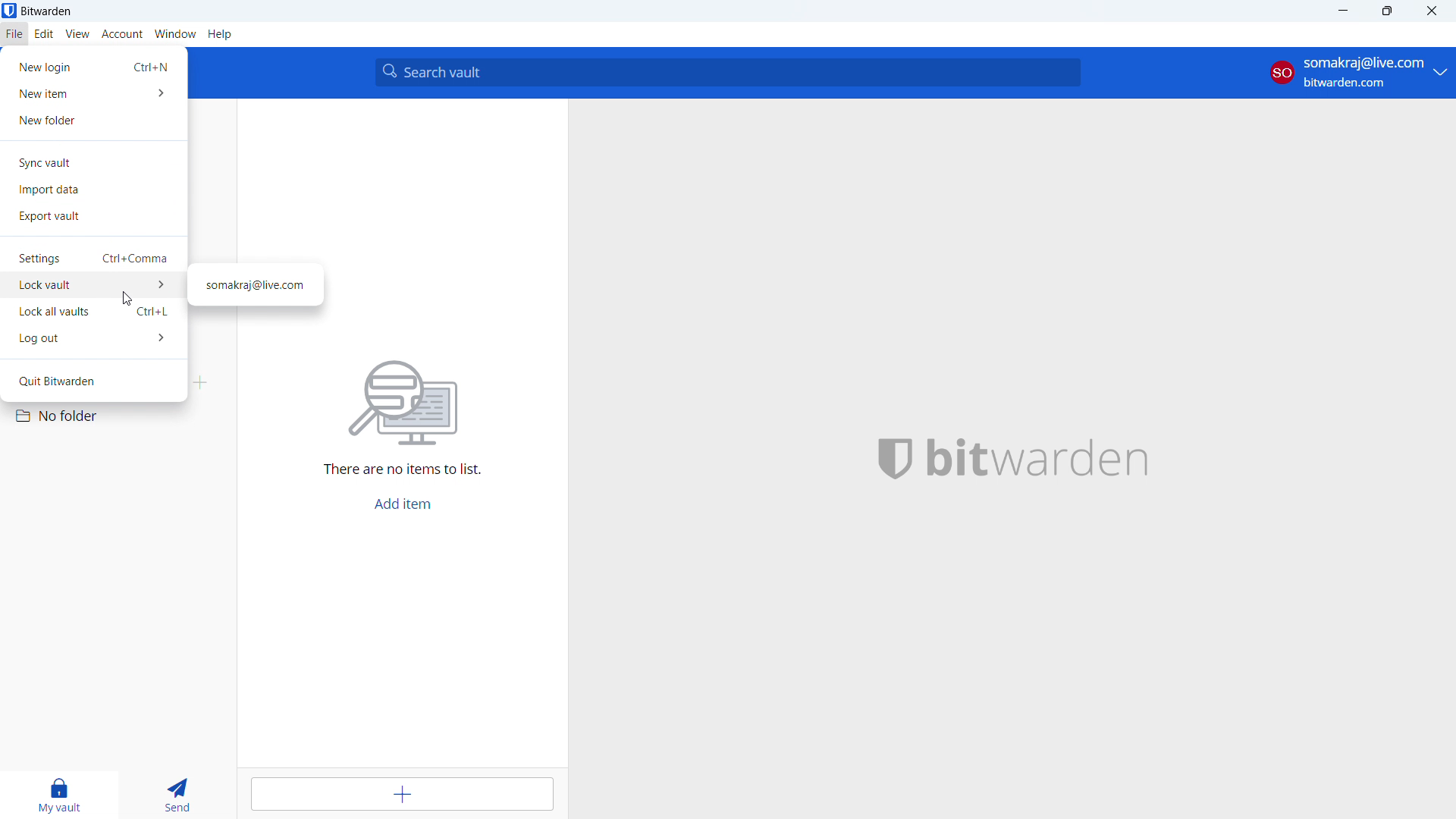 This screenshot has height=819, width=1456. Describe the element at coordinates (93, 381) in the screenshot. I see `quit bitwarden` at that location.